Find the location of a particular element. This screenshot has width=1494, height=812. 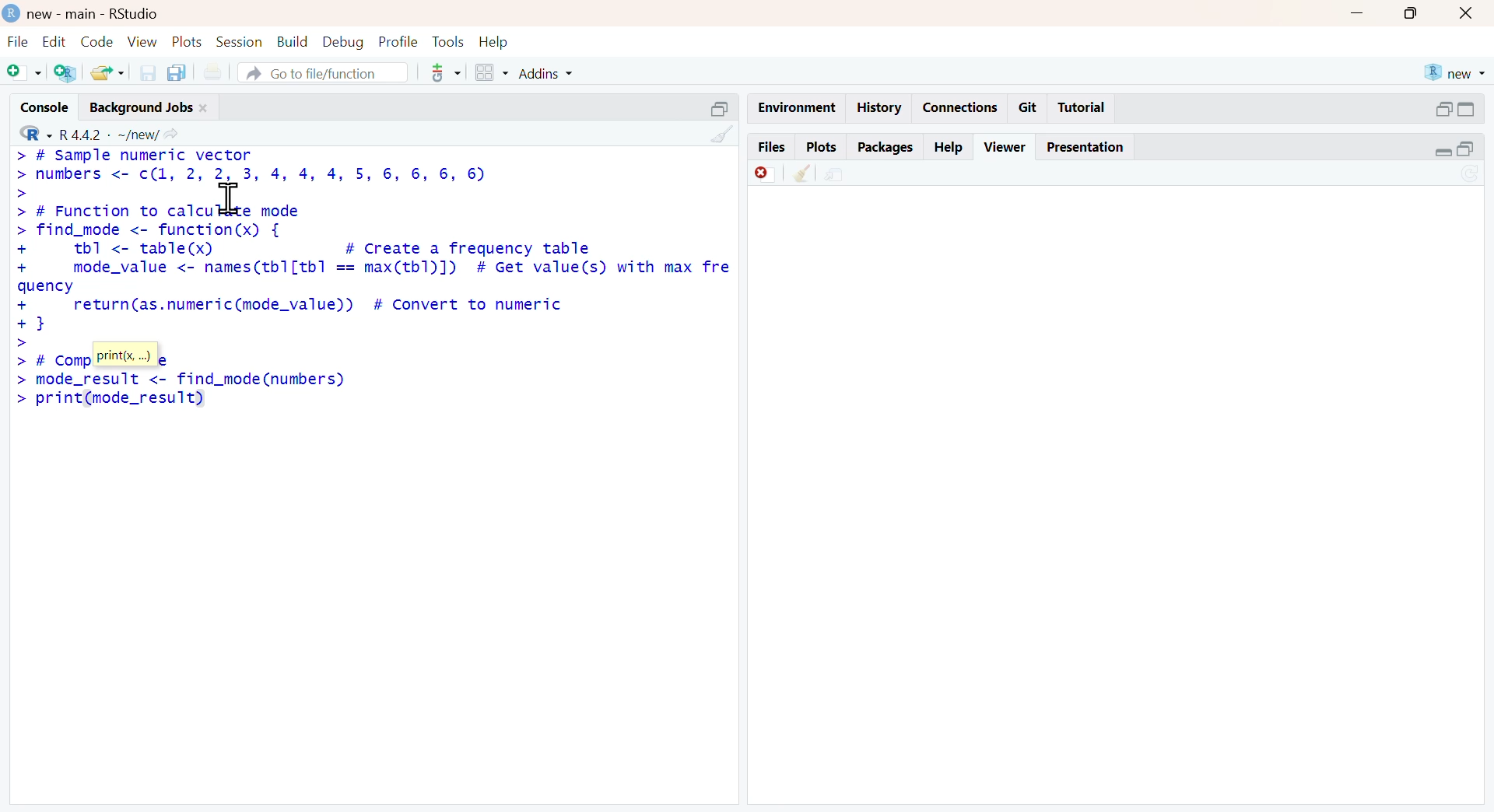

console is located at coordinates (44, 107).